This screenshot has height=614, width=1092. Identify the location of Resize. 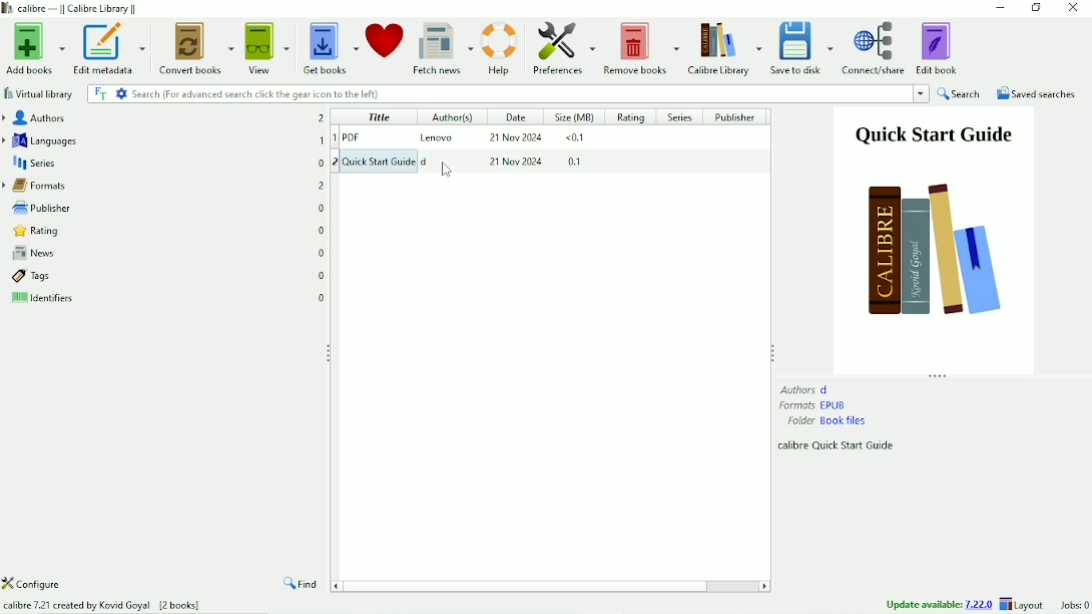
(330, 353).